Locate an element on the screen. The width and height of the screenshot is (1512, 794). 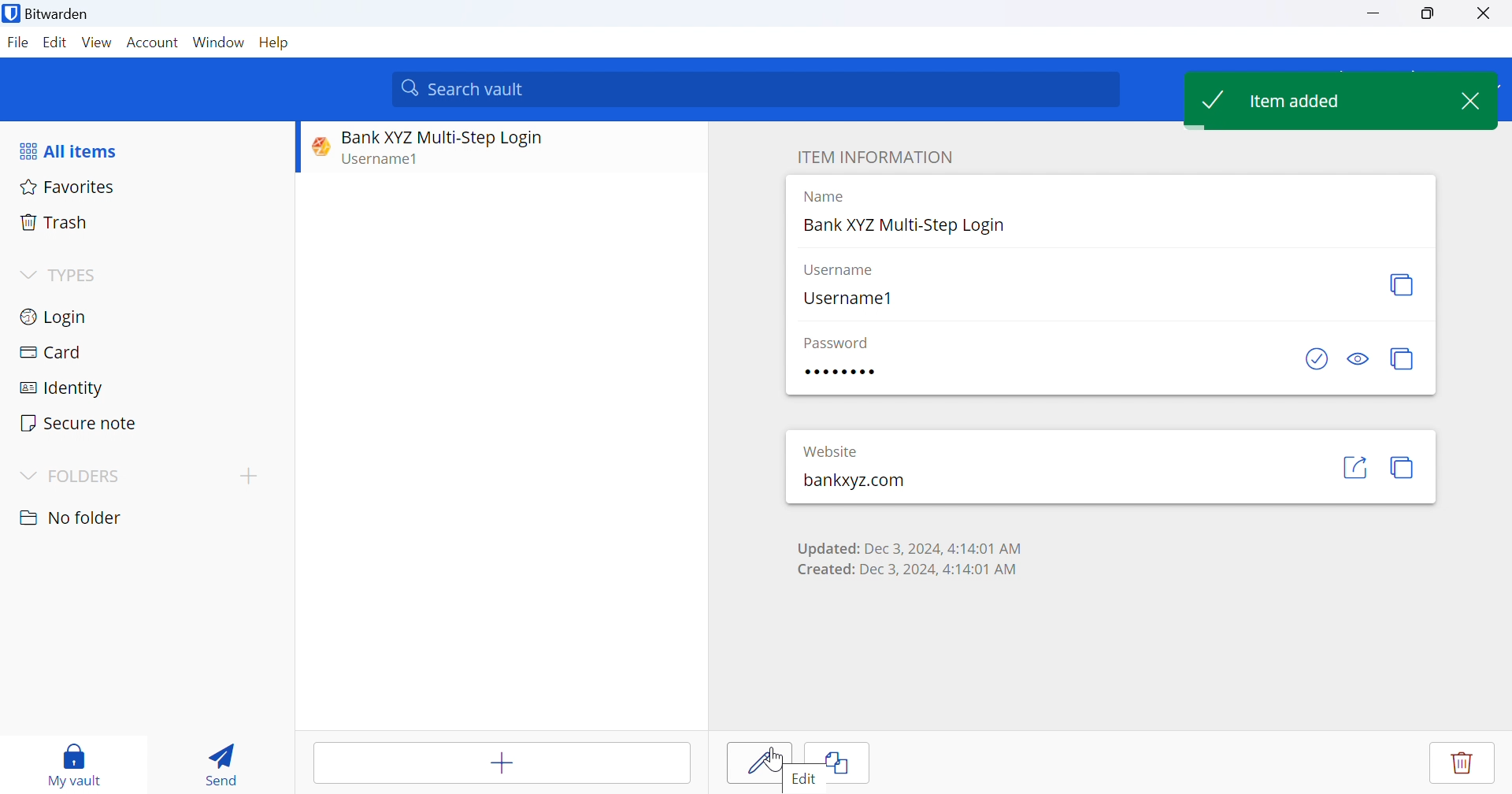
Launch is located at coordinates (1355, 466).